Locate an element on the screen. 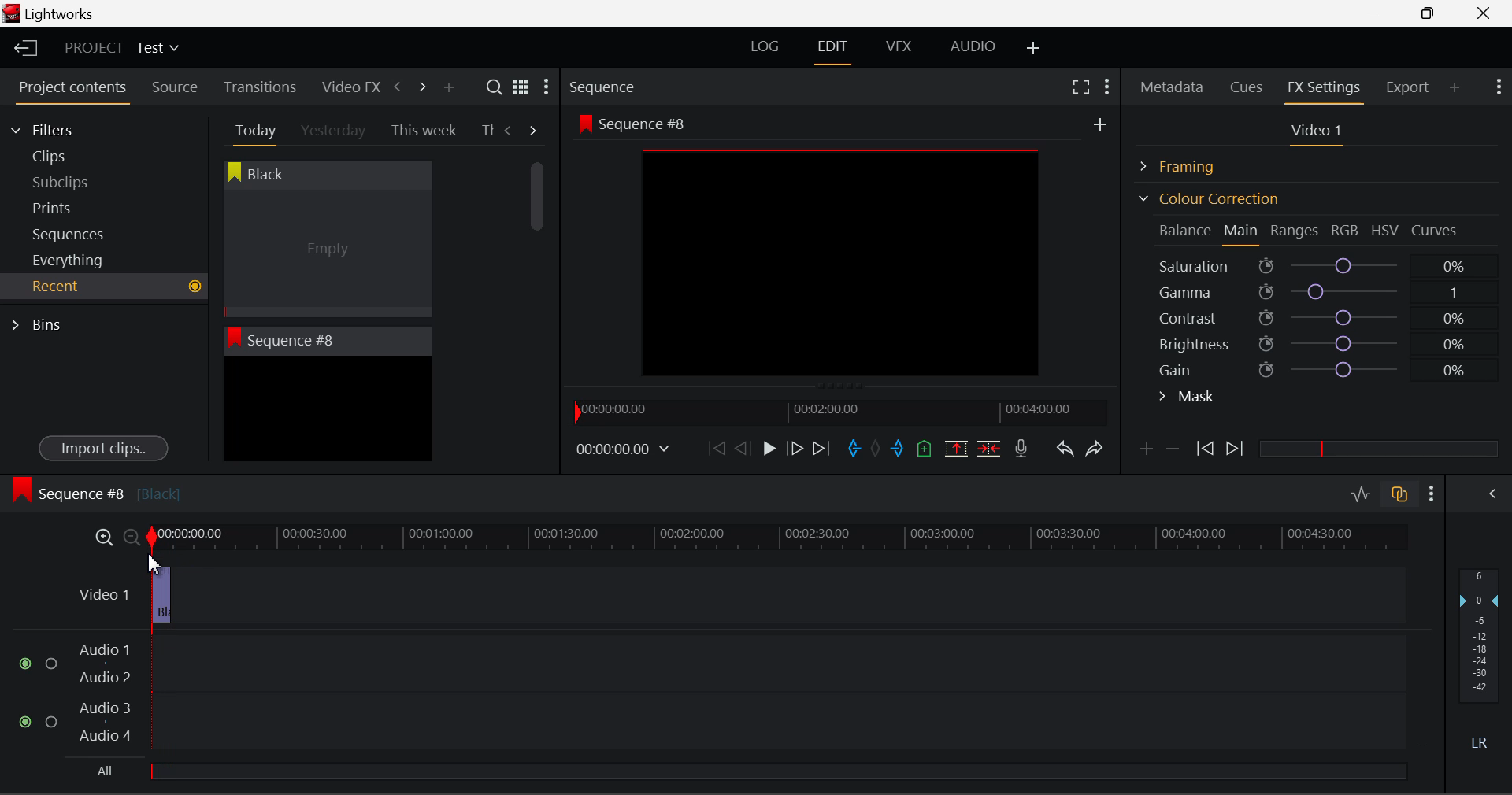 Image resolution: width=1512 pixels, height=795 pixels. EDIT Layout is located at coordinates (835, 50).